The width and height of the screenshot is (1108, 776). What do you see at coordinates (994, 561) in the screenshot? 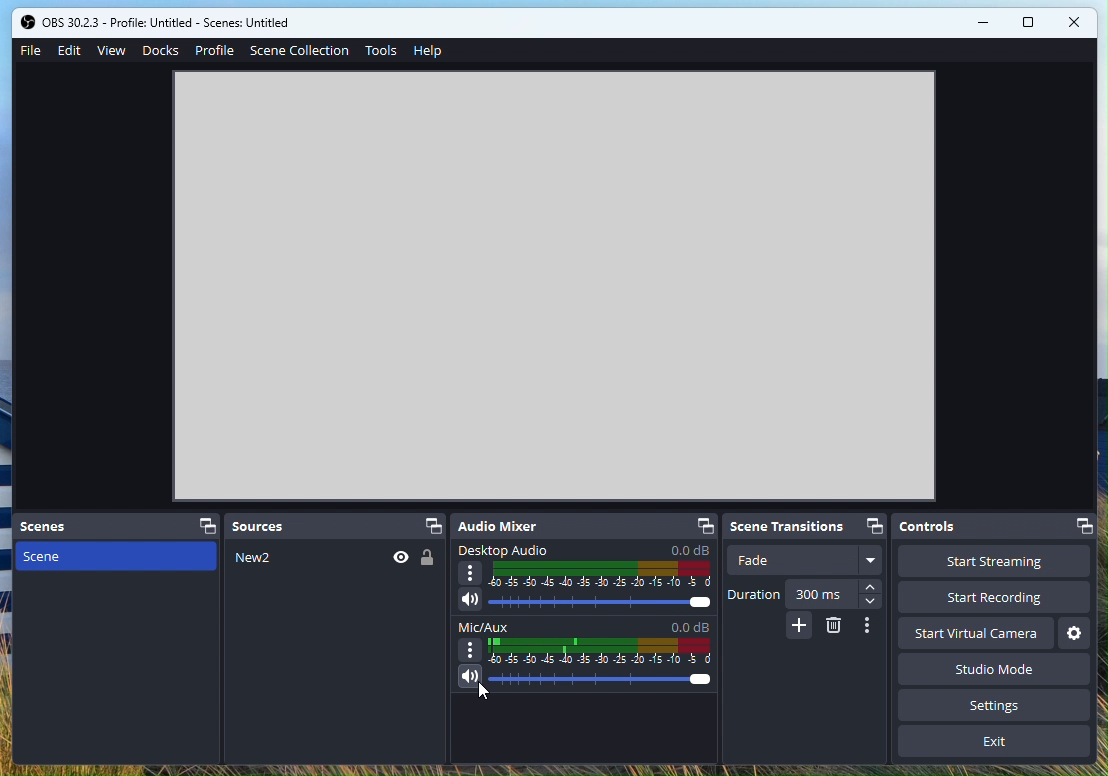
I see `Start streaming` at bounding box center [994, 561].